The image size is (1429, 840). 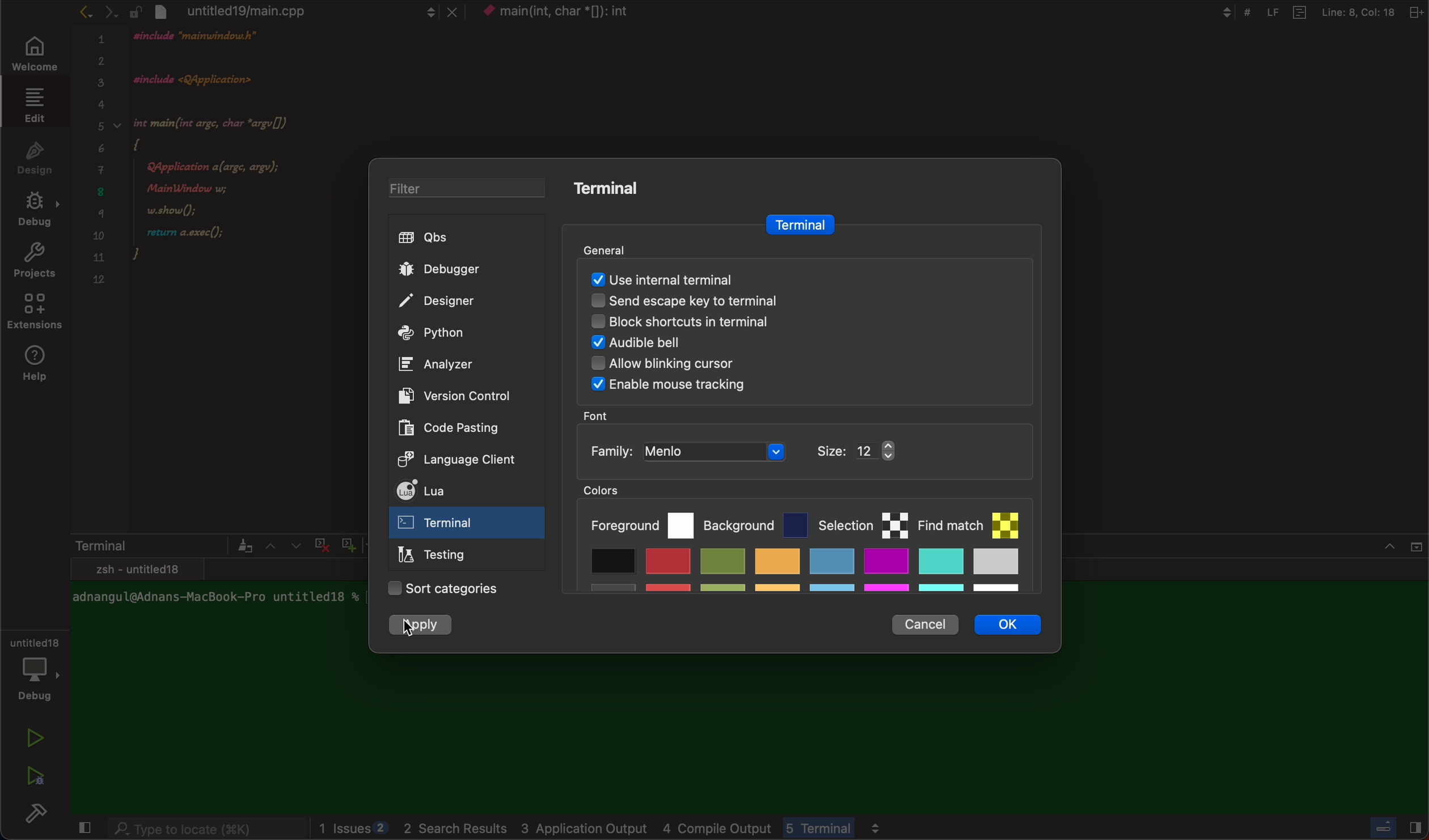 I want to click on foreground, so click(x=641, y=523).